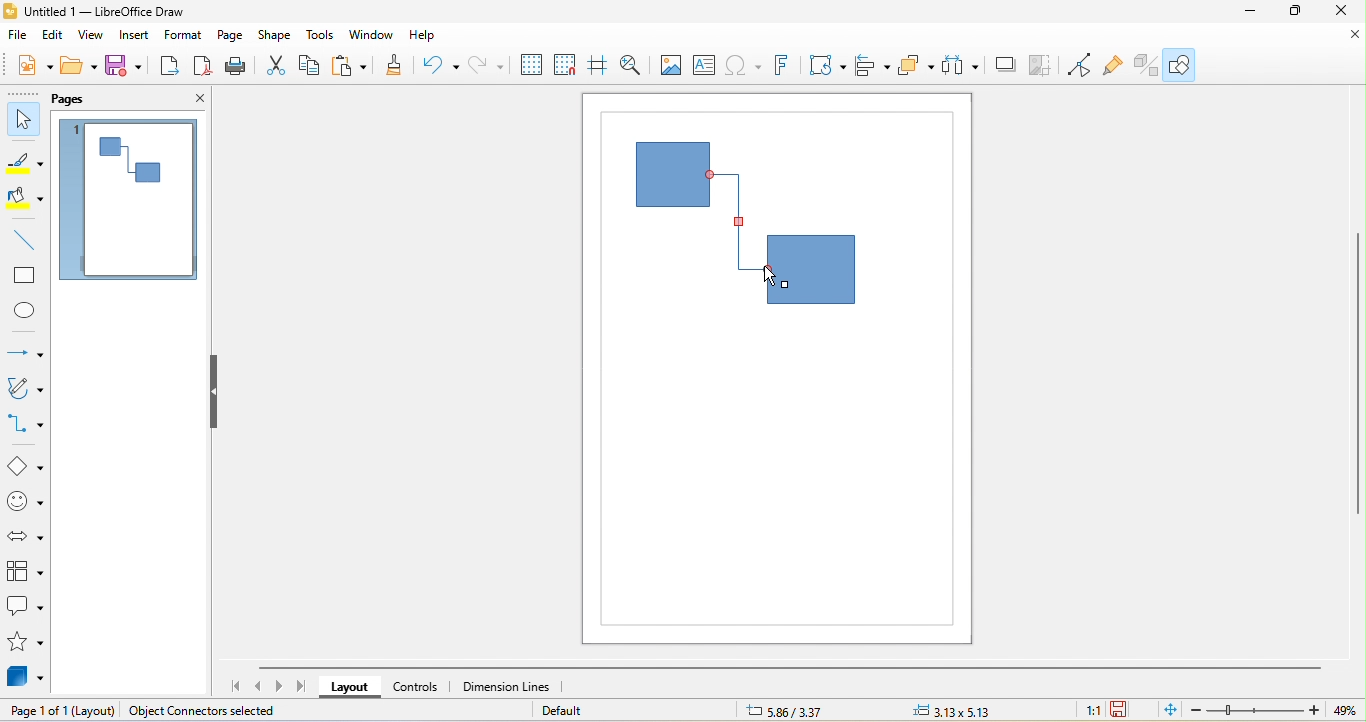 This screenshot has width=1366, height=722. I want to click on export directly as pdf, so click(206, 66).